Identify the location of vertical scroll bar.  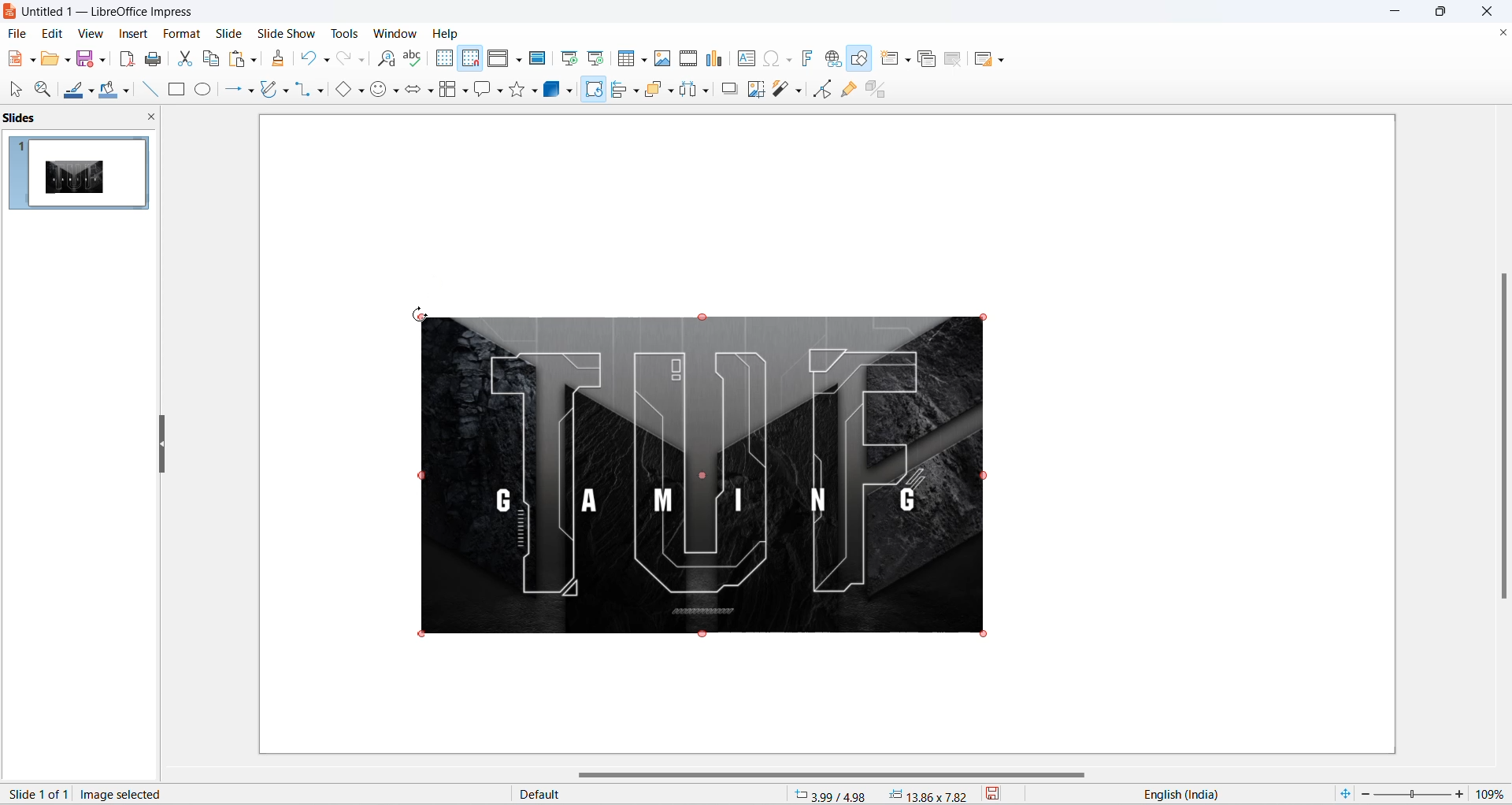
(1503, 434).